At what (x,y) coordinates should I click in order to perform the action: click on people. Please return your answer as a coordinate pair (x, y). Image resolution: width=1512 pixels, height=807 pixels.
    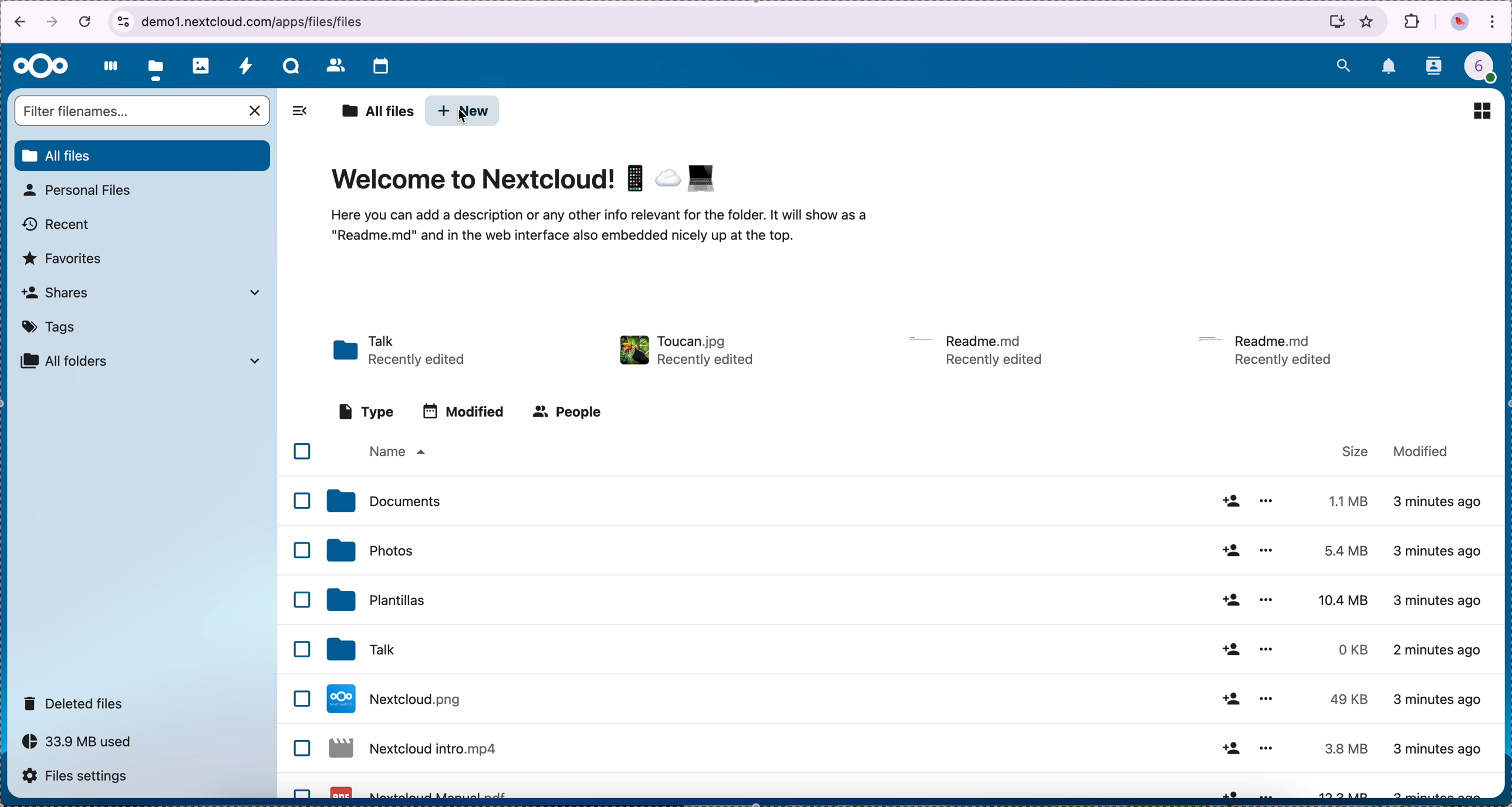
    Looking at the image, I should click on (566, 411).